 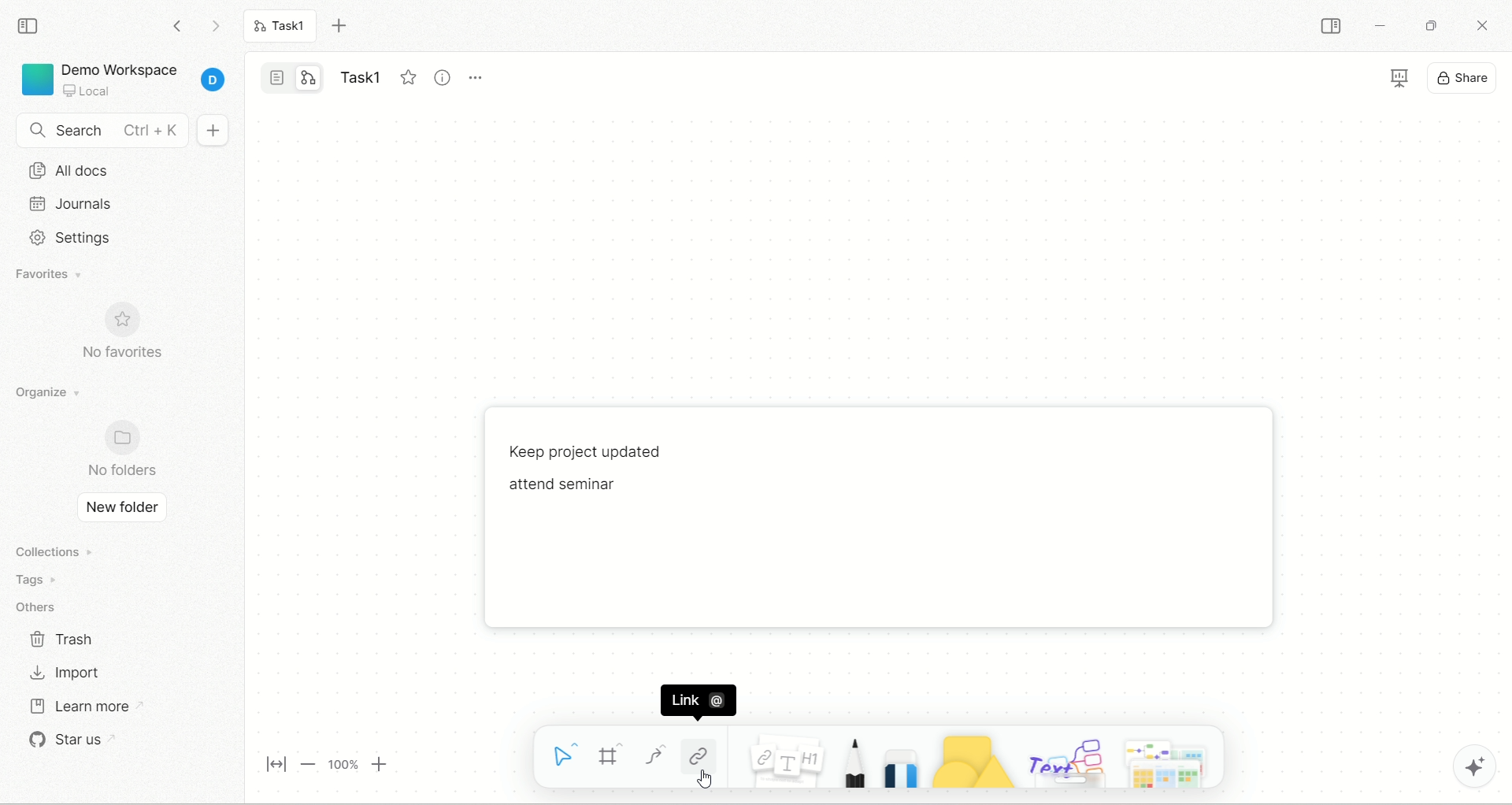 What do you see at coordinates (65, 673) in the screenshot?
I see `import` at bounding box center [65, 673].